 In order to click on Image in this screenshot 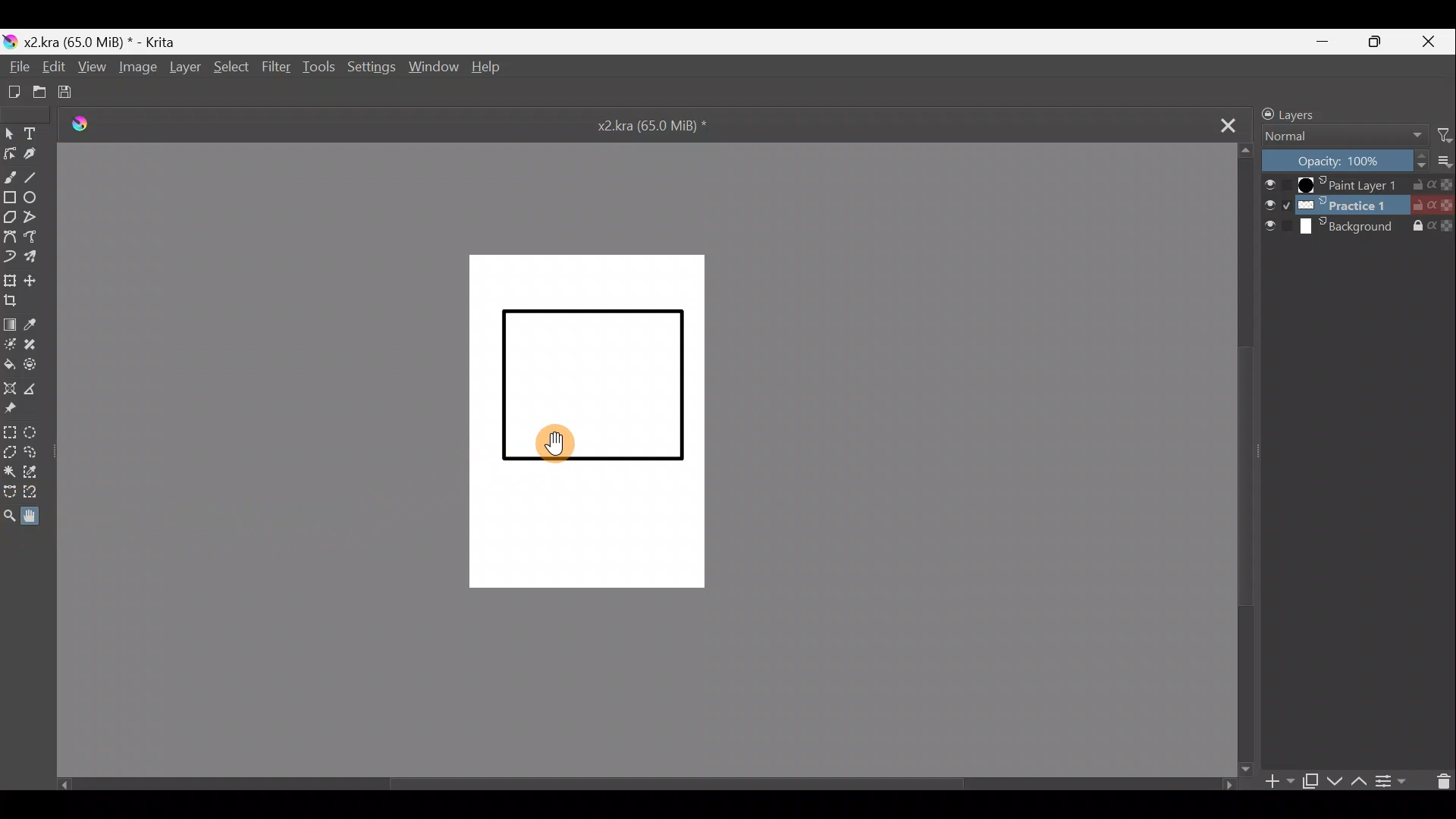, I will do `click(140, 71)`.